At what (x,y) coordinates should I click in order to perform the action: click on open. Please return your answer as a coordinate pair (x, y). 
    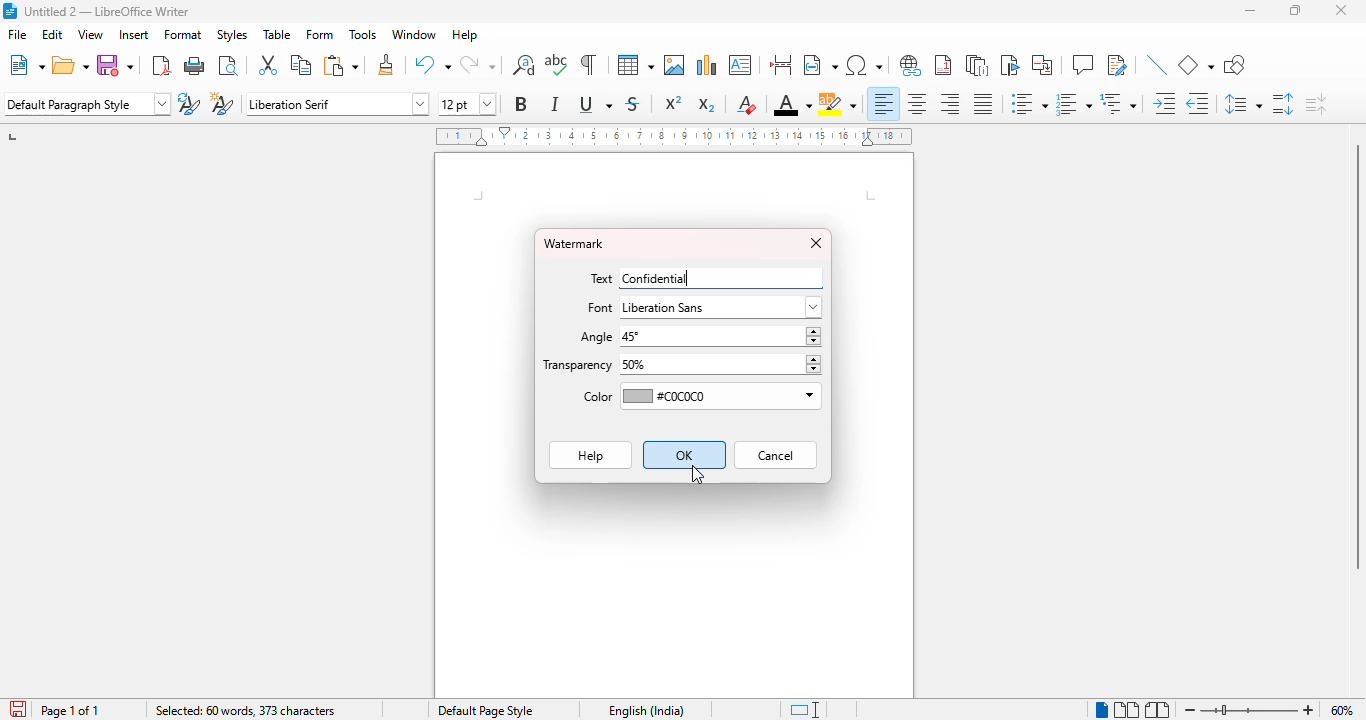
    Looking at the image, I should click on (71, 65).